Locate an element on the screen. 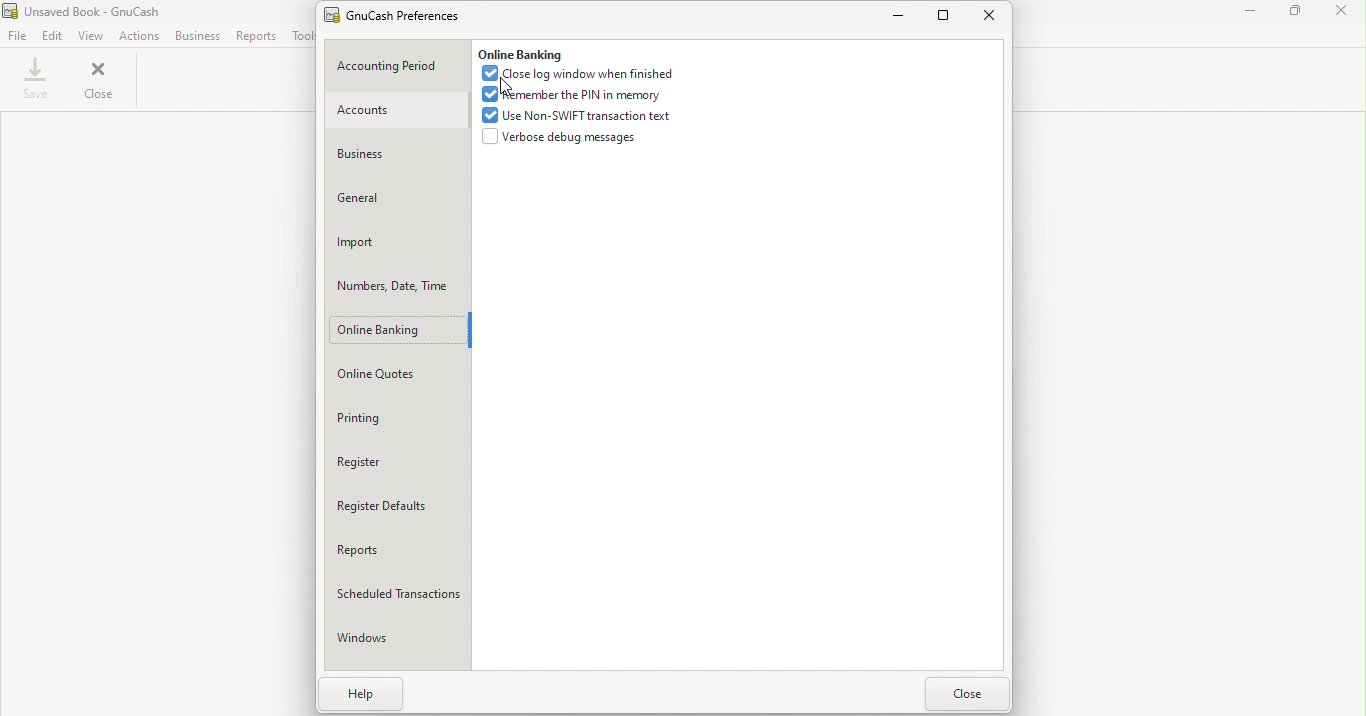  Online banking is located at coordinates (519, 52).